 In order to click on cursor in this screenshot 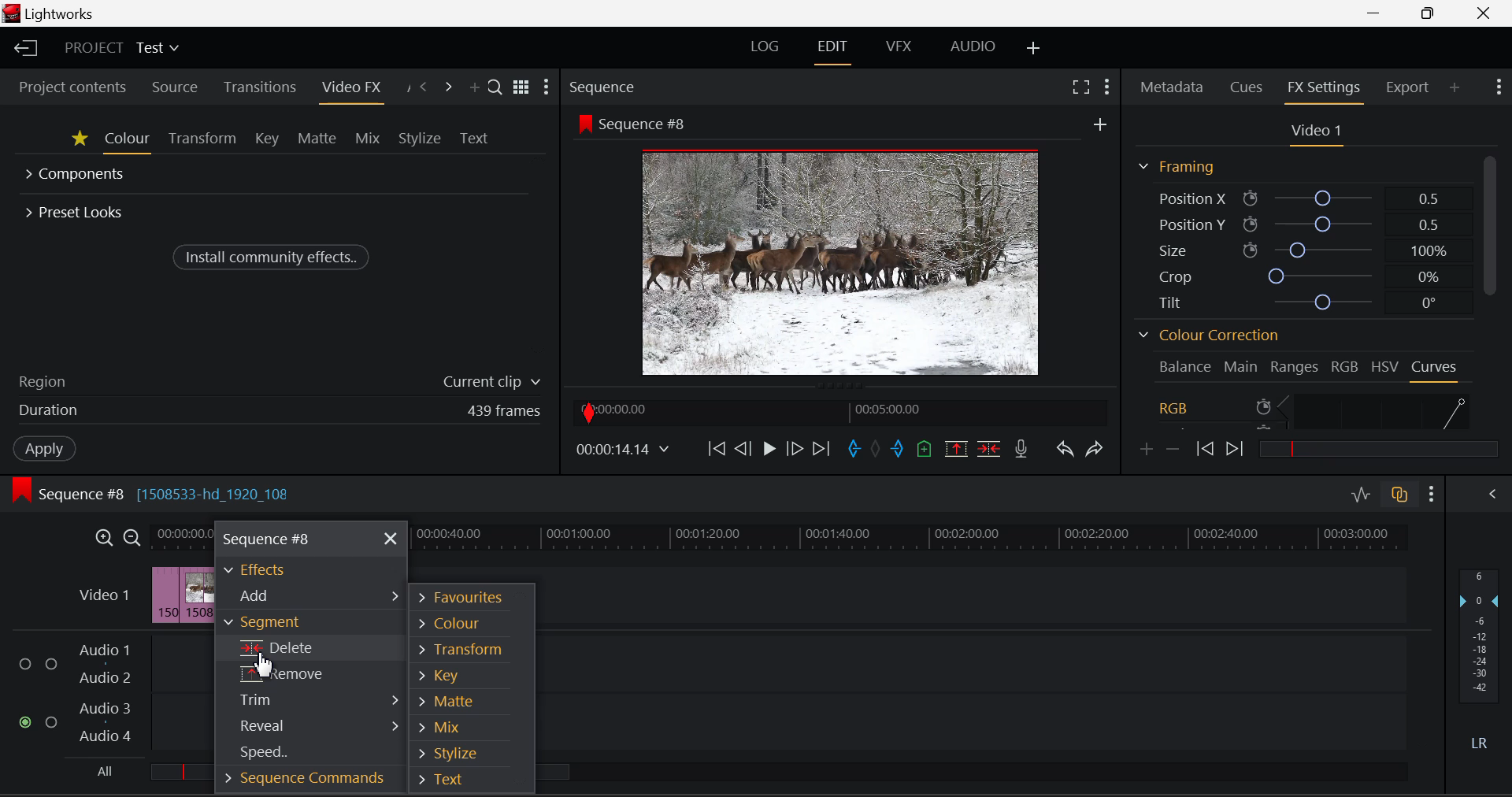, I will do `click(268, 665)`.